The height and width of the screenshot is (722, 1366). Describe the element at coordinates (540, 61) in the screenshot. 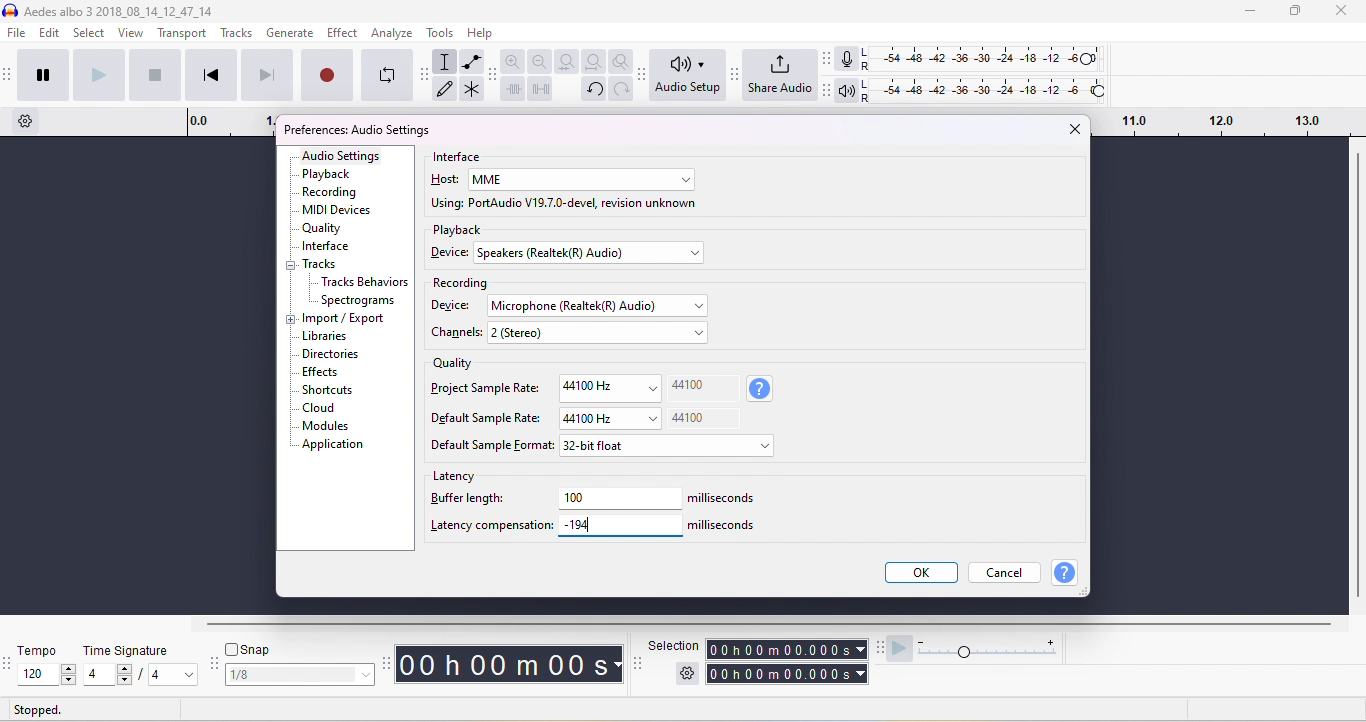

I see `zoom out` at that location.